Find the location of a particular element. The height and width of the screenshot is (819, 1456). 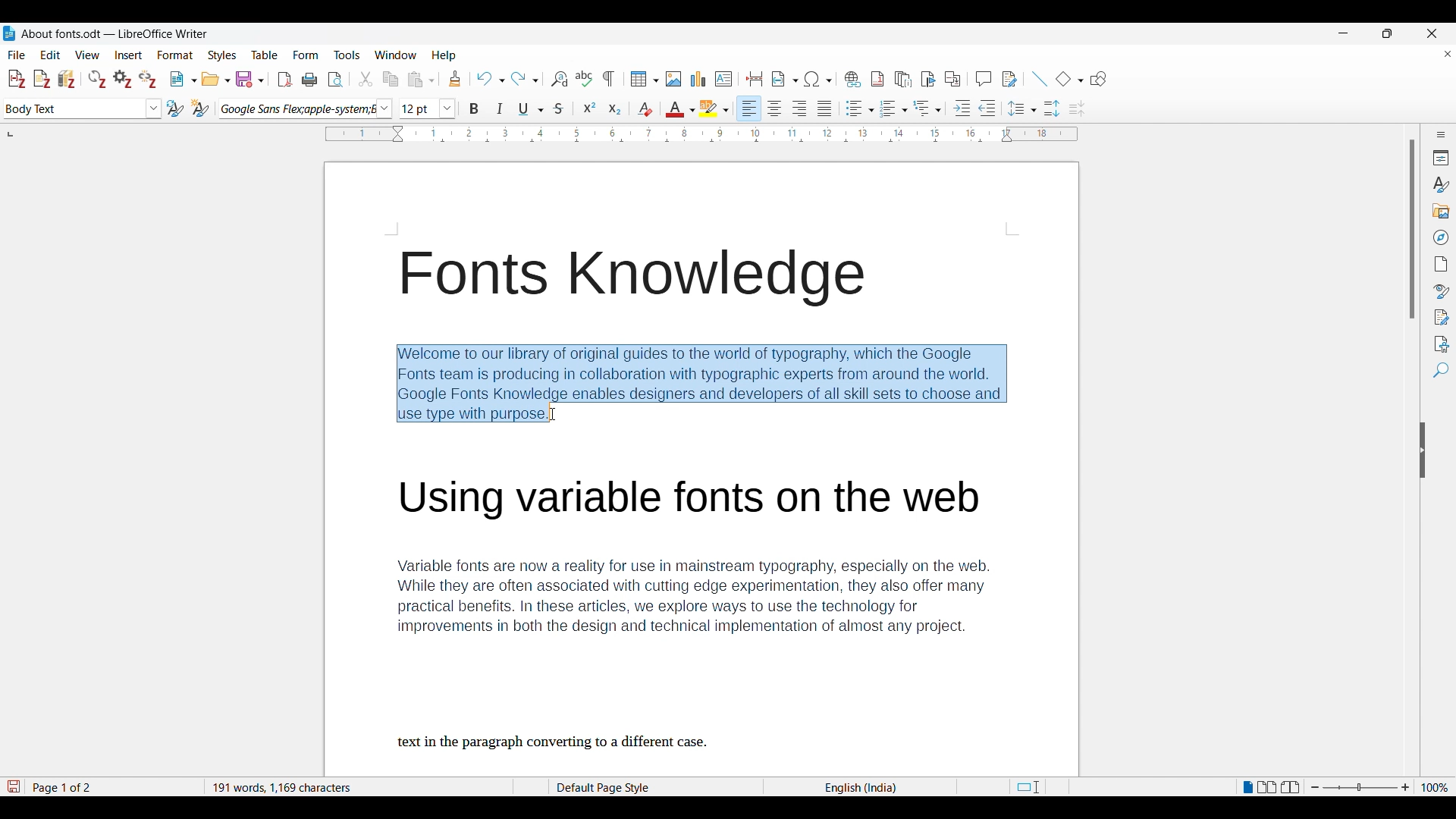

Insert line is located at coordinates (1039, 79).